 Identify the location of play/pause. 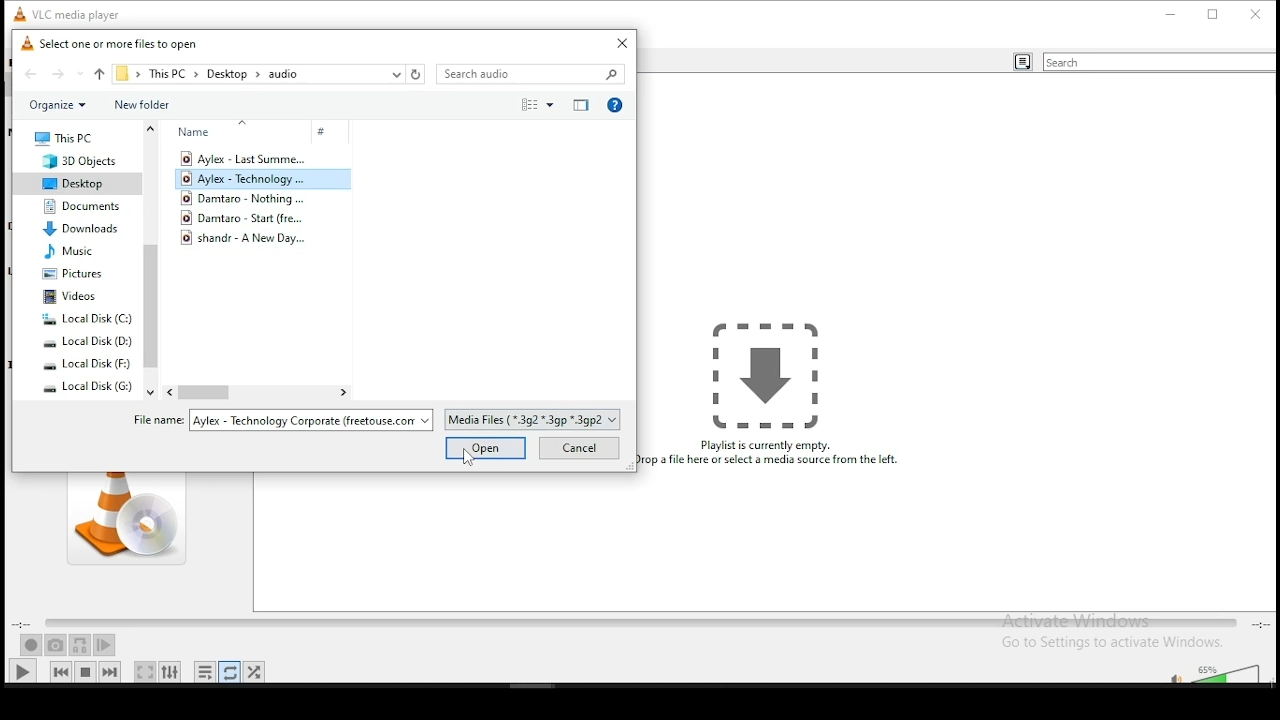
(23, 671).